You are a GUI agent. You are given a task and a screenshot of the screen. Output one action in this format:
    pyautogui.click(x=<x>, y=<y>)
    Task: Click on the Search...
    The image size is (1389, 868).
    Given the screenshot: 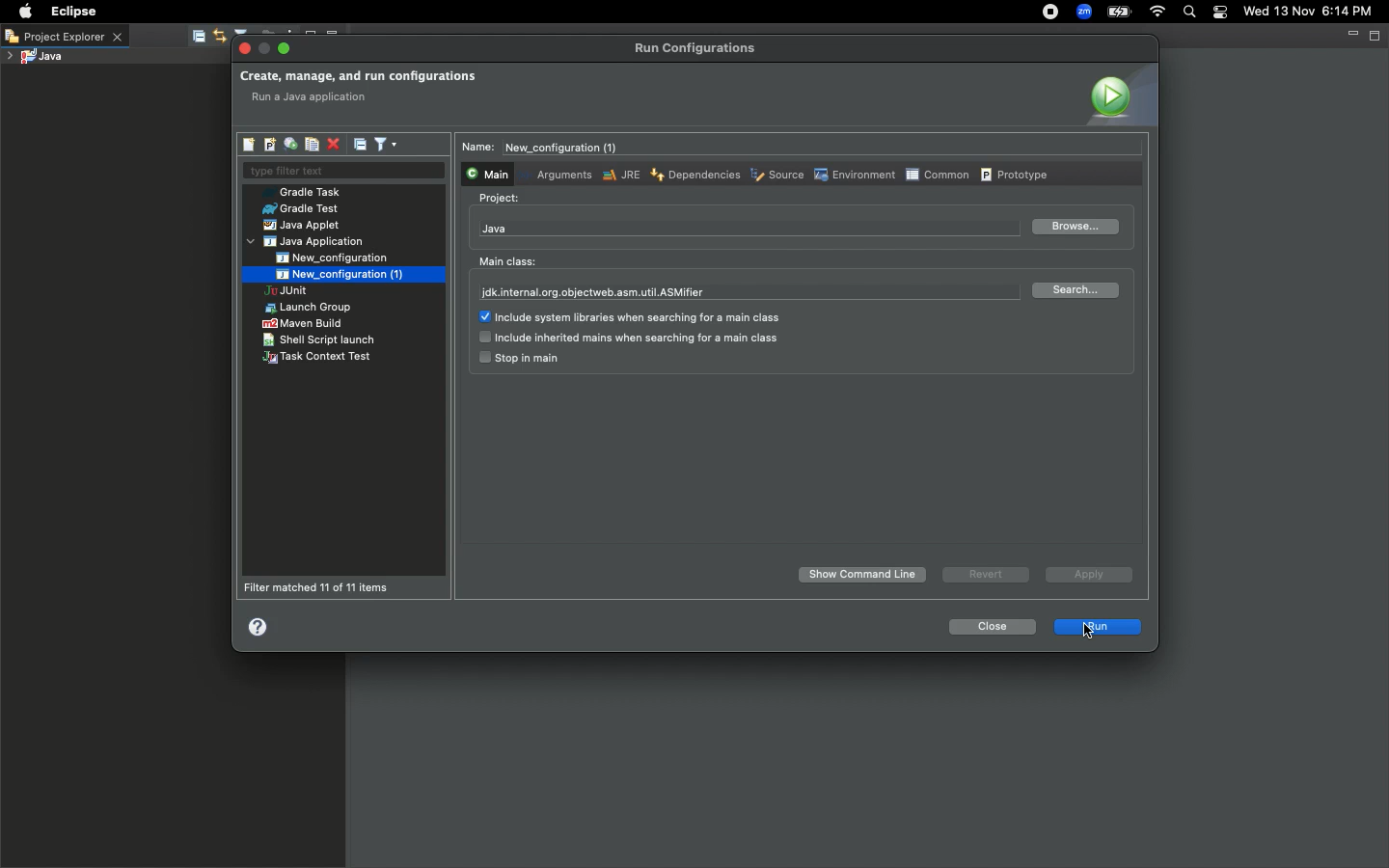 What is the action you would take?
    pyautogui.click(x=1079, y=290)
    